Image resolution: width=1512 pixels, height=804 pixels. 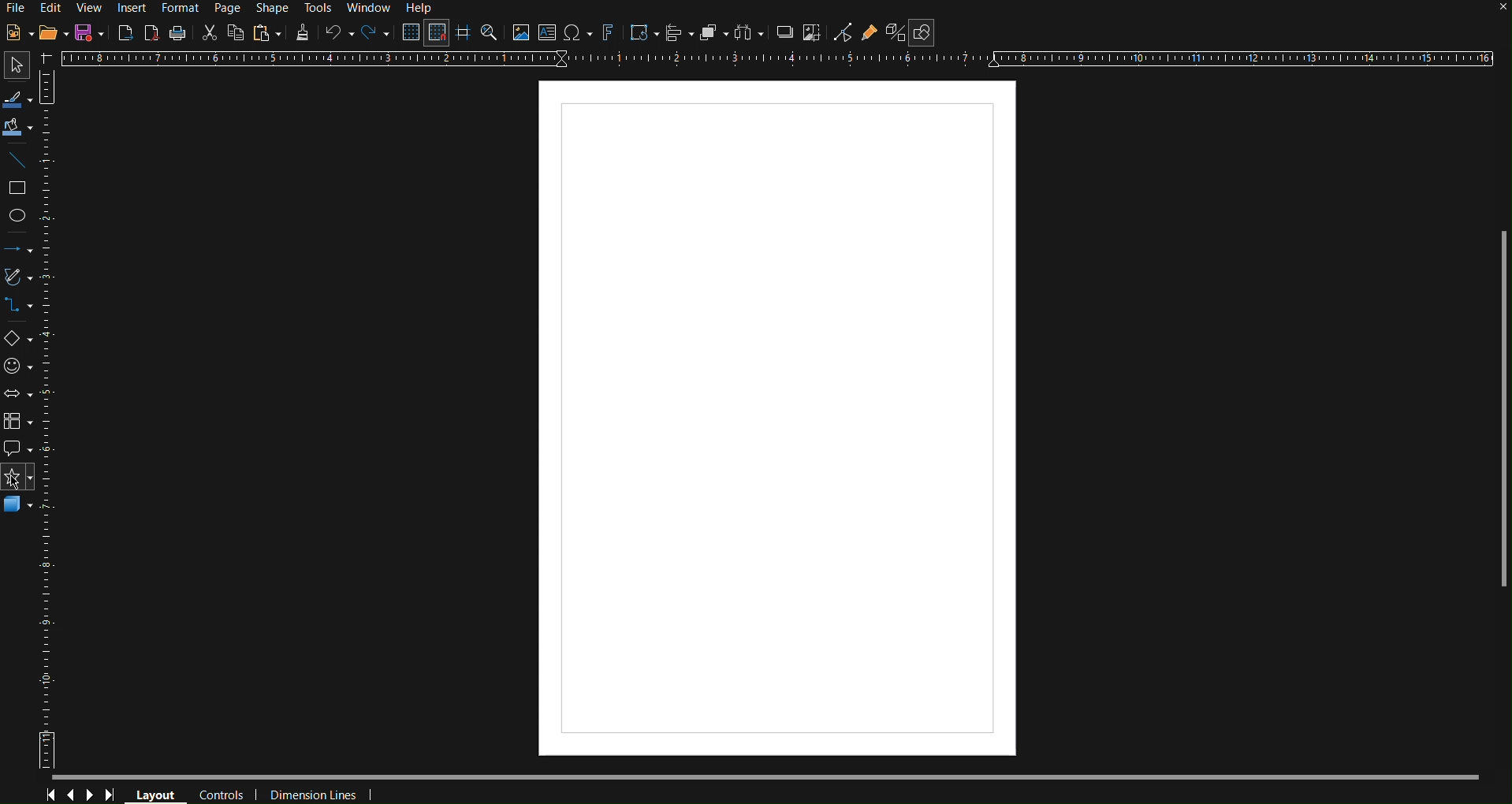 I want to click on Callout Shapes, so click(x=19, y=450).